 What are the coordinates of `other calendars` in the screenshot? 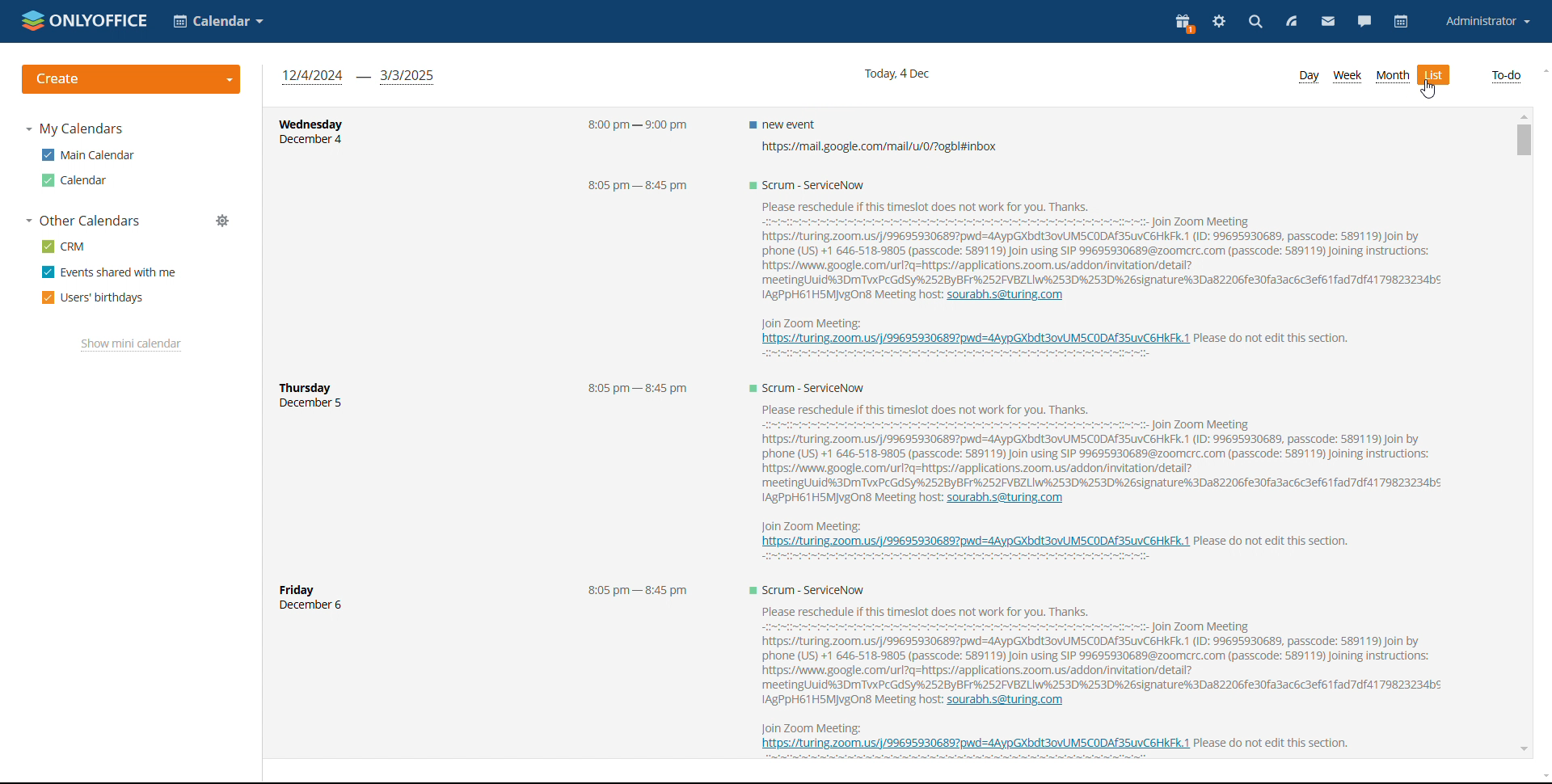 It's located at (84, 221).